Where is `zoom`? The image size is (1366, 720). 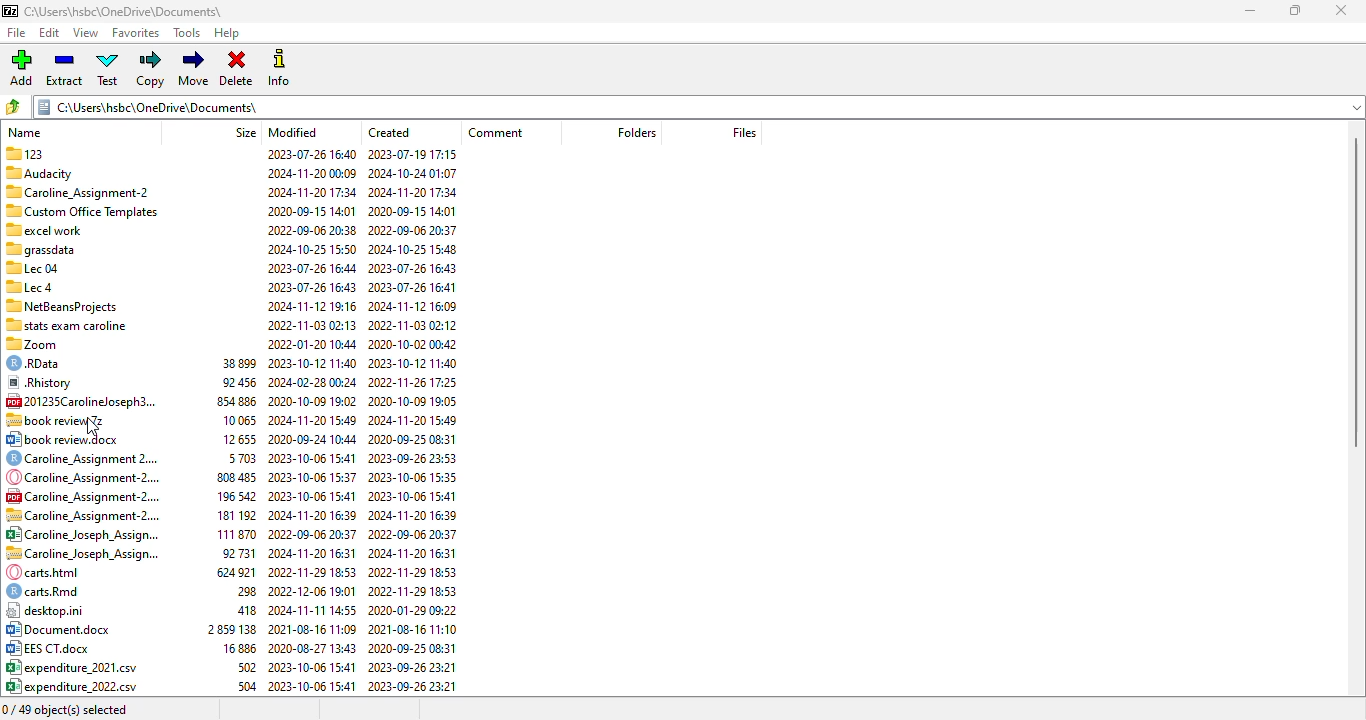 zoom is located at coordinates (36, 343).